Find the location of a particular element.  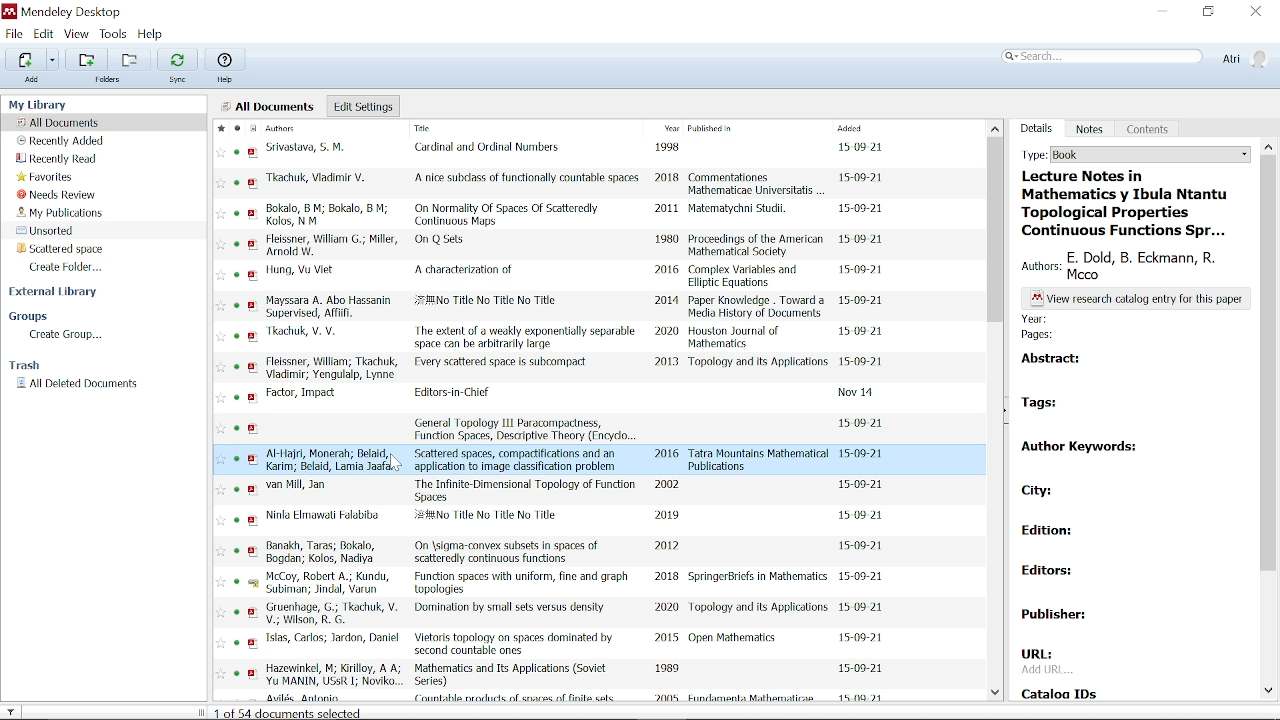

title is located at coordinates (509, 213).